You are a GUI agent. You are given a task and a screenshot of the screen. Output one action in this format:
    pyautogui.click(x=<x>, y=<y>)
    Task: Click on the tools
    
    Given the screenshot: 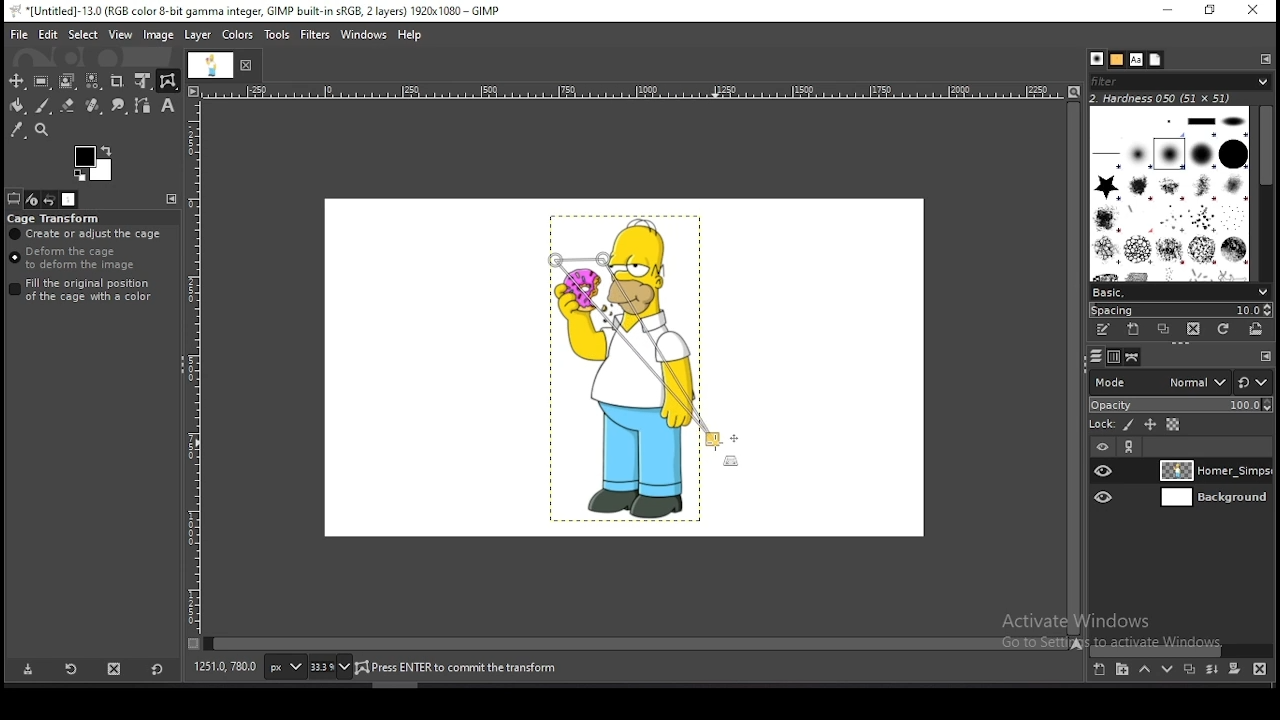 What is the action you would take?
    pyautogui.click(x=278, y=35)
    